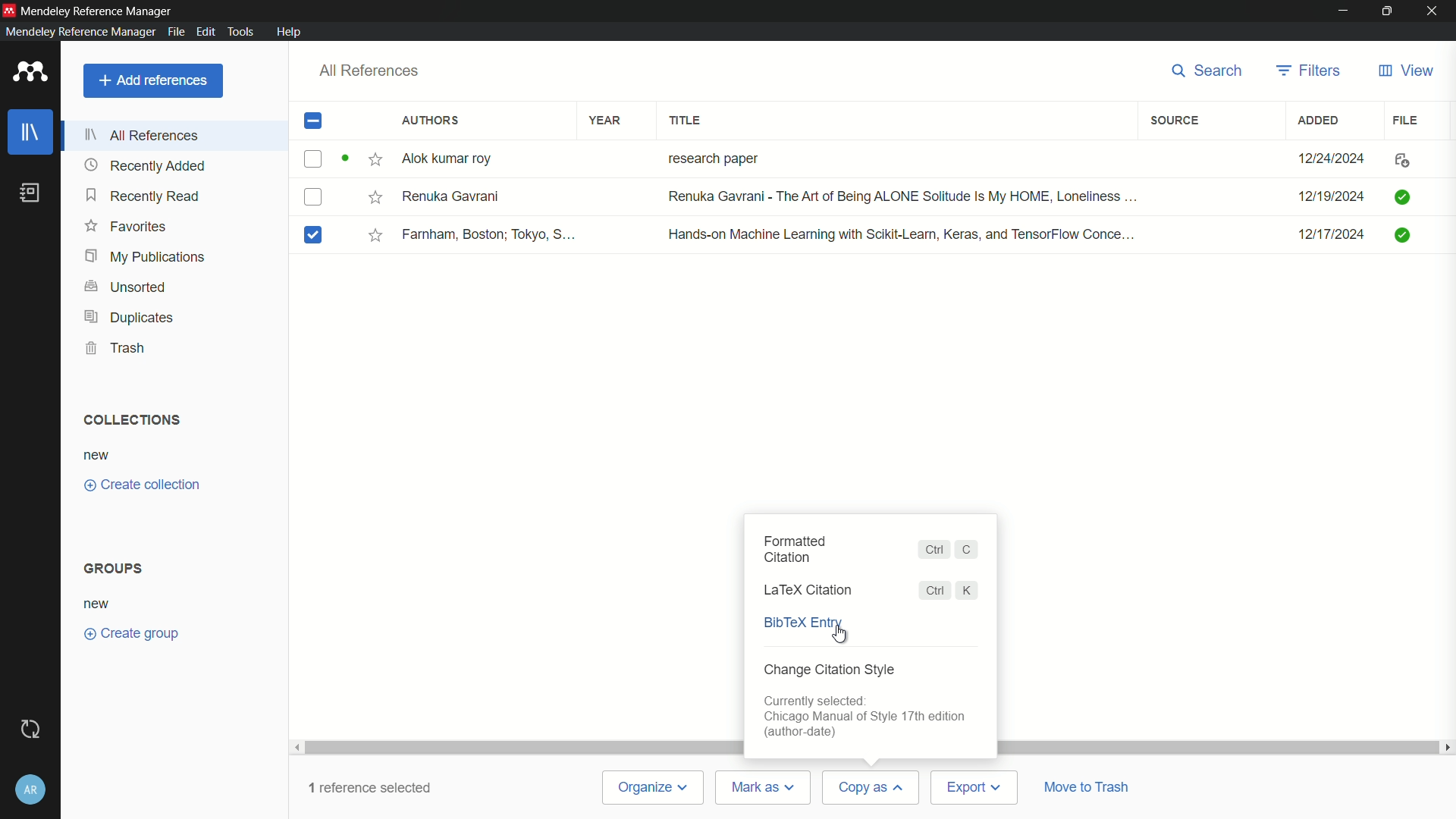  What do you see at coordinates (870, 786) in the screenshot?
I see `copy as` at bounding box center [870, 786].